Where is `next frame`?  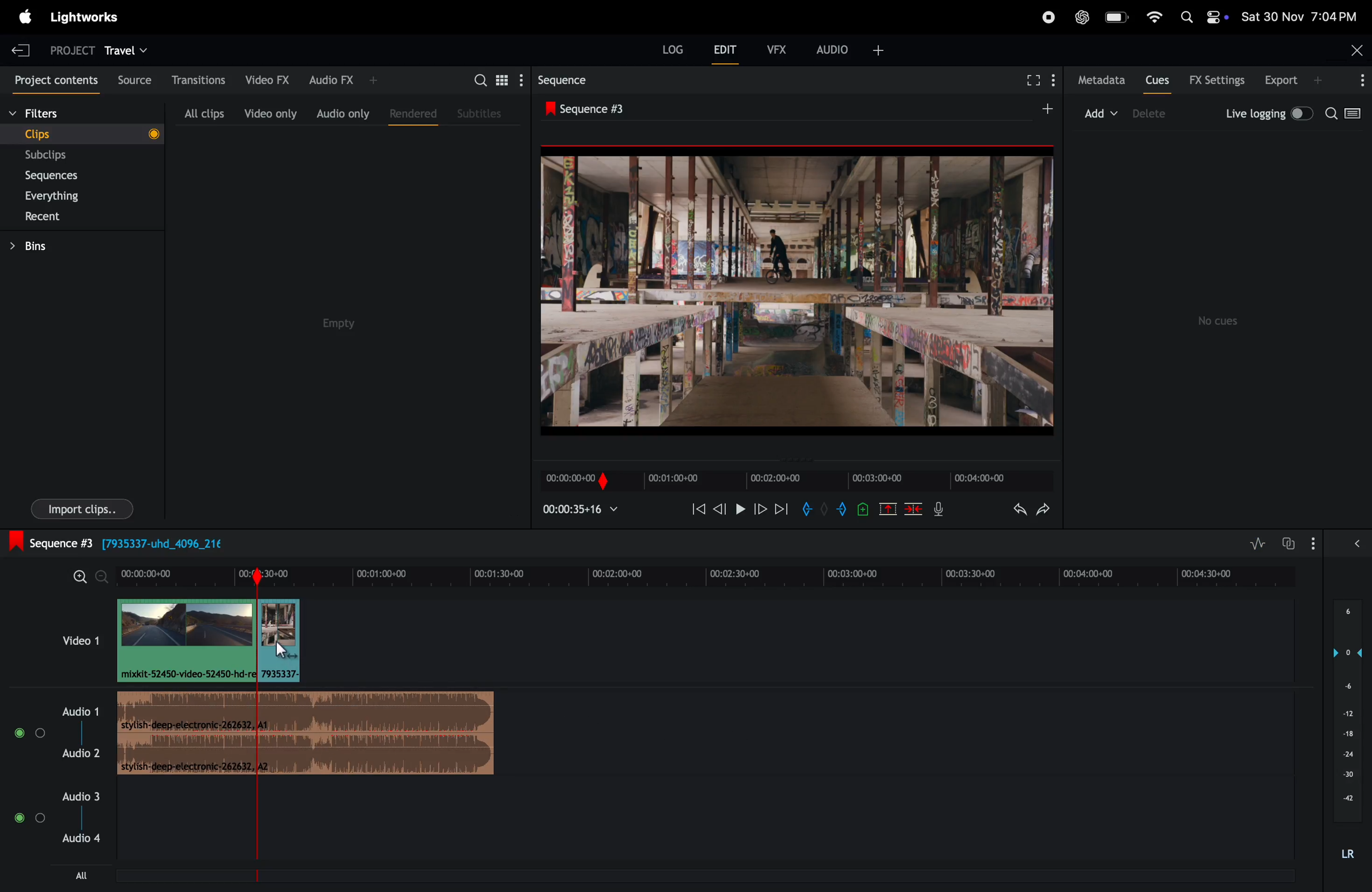
next frame is located at coordinates (782, 509).